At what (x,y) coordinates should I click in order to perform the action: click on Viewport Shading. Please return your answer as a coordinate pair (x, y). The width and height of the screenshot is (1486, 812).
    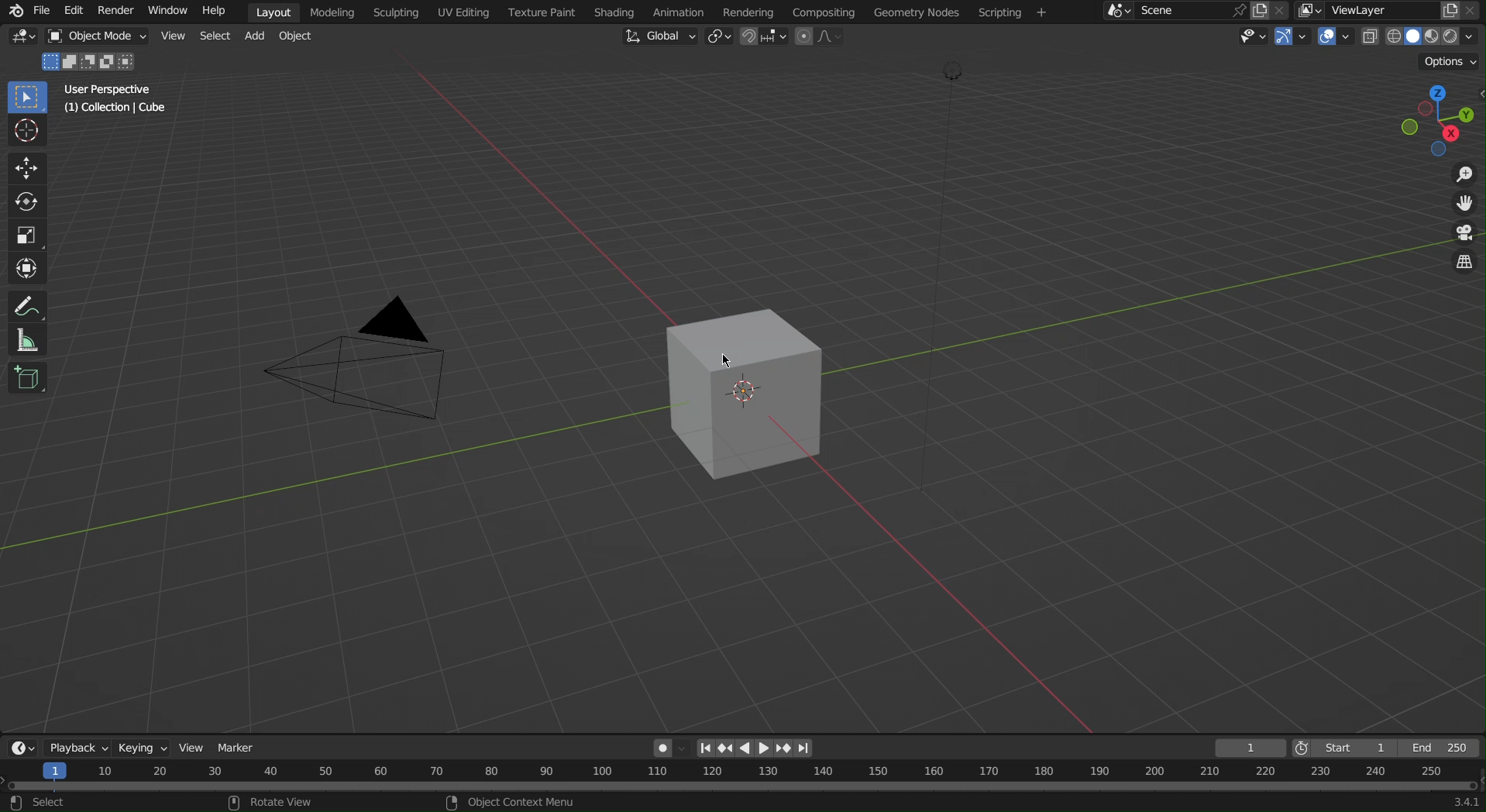
    Looking at the image, I should click on (1425, 36).